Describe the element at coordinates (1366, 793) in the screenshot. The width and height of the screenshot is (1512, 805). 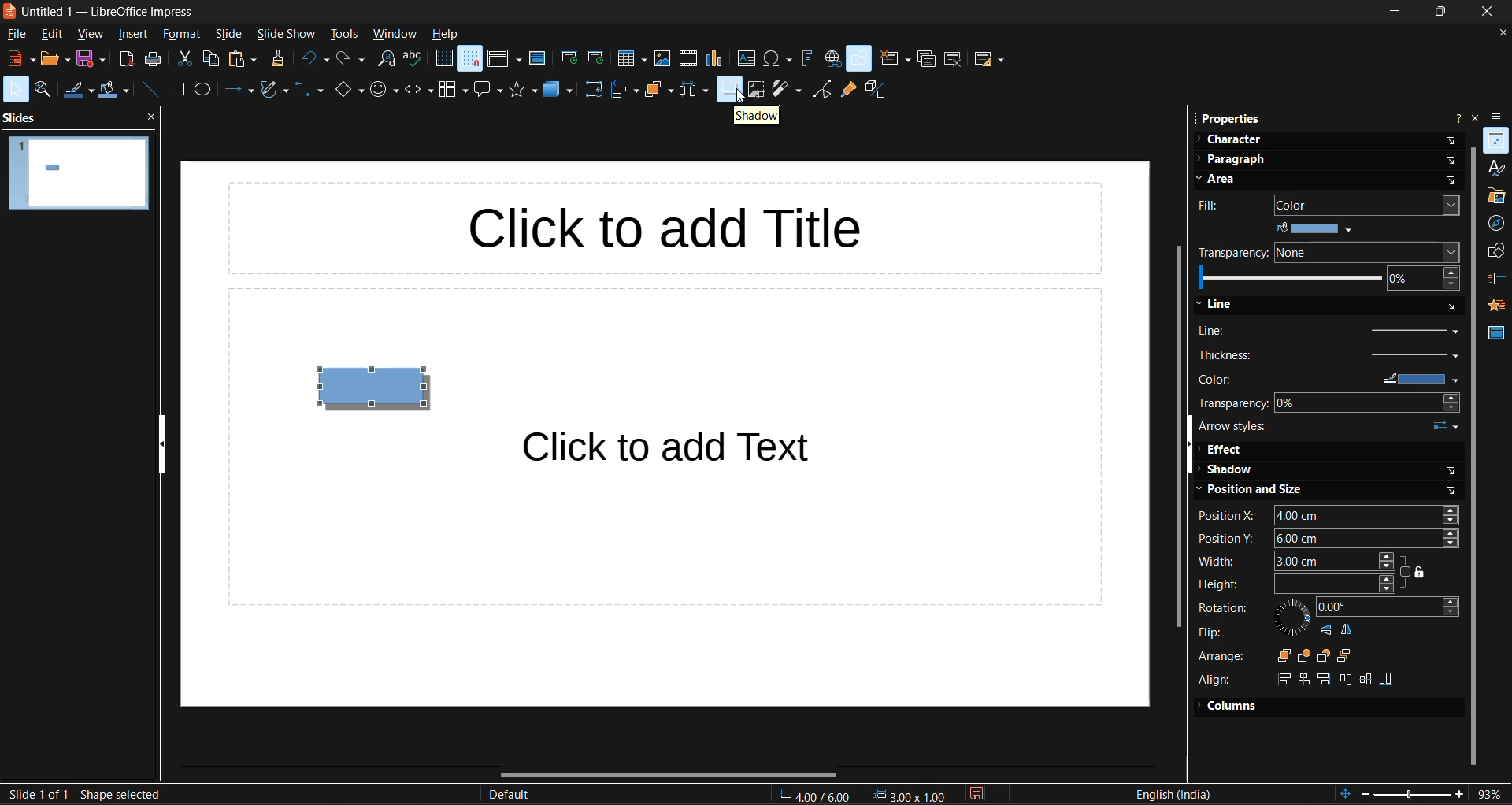
I see `zoom out` at that location.